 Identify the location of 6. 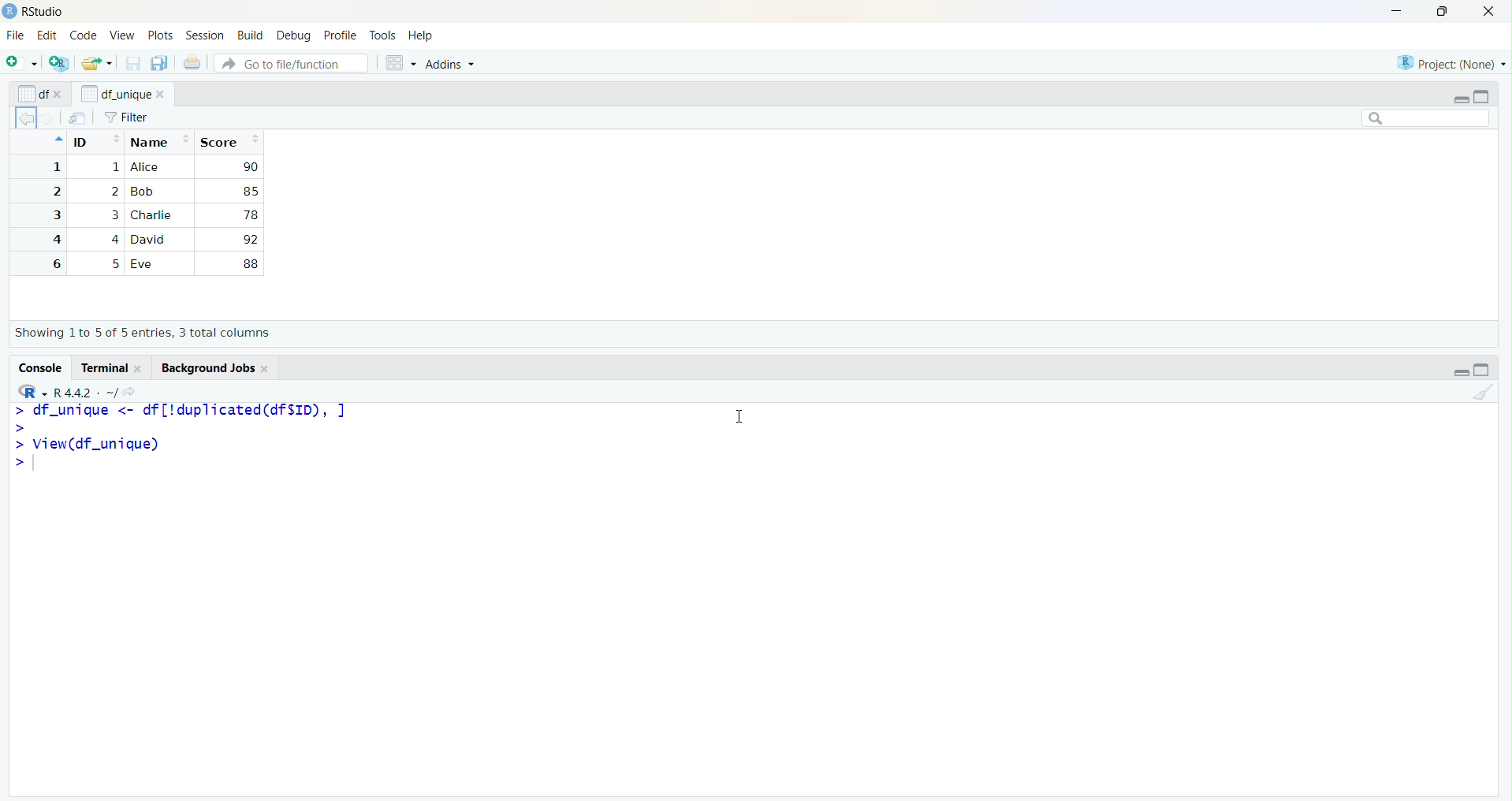
(54, 288).